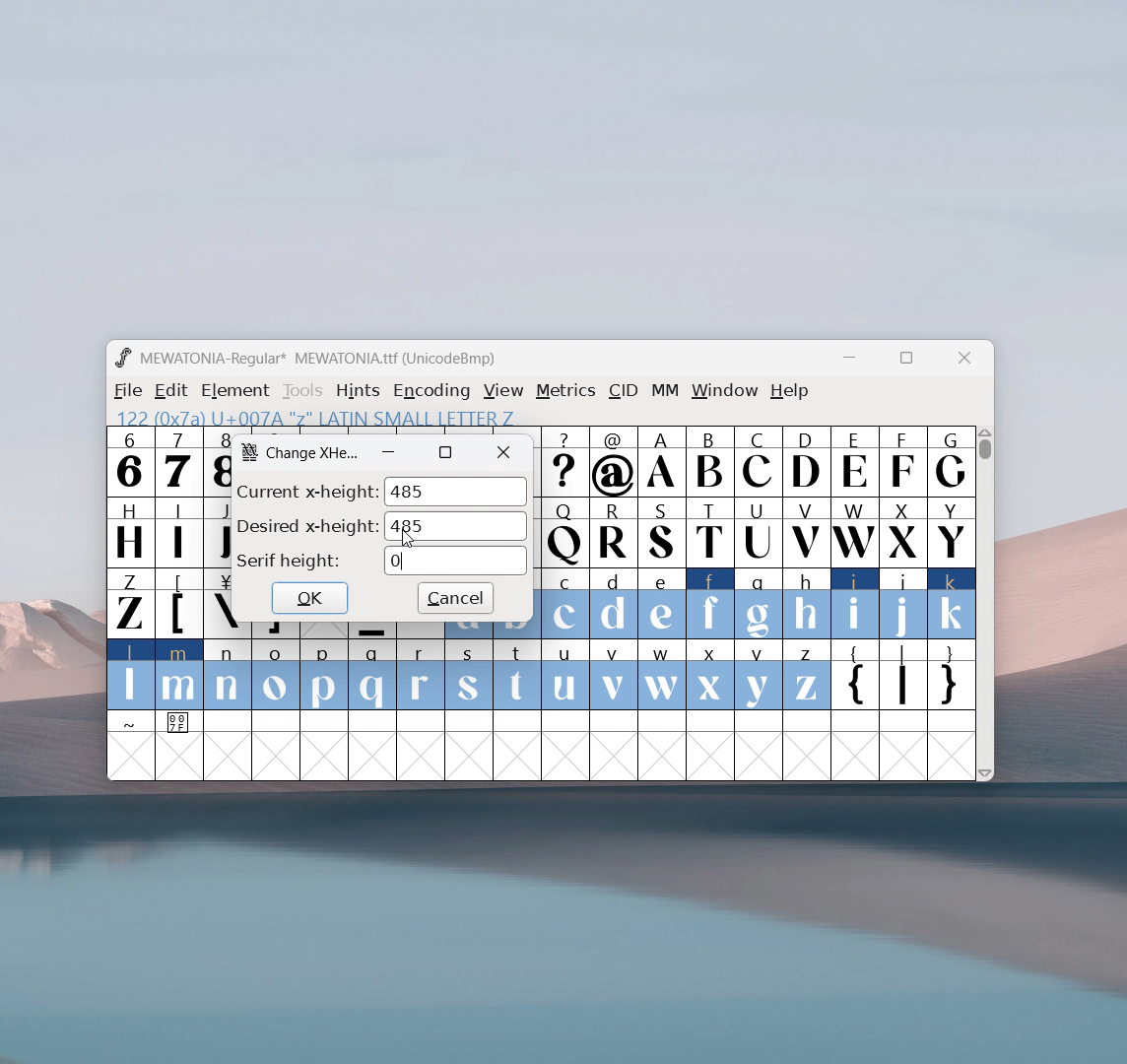 The image size is (1127, 1064). I want to click on f, so click(711, 603).